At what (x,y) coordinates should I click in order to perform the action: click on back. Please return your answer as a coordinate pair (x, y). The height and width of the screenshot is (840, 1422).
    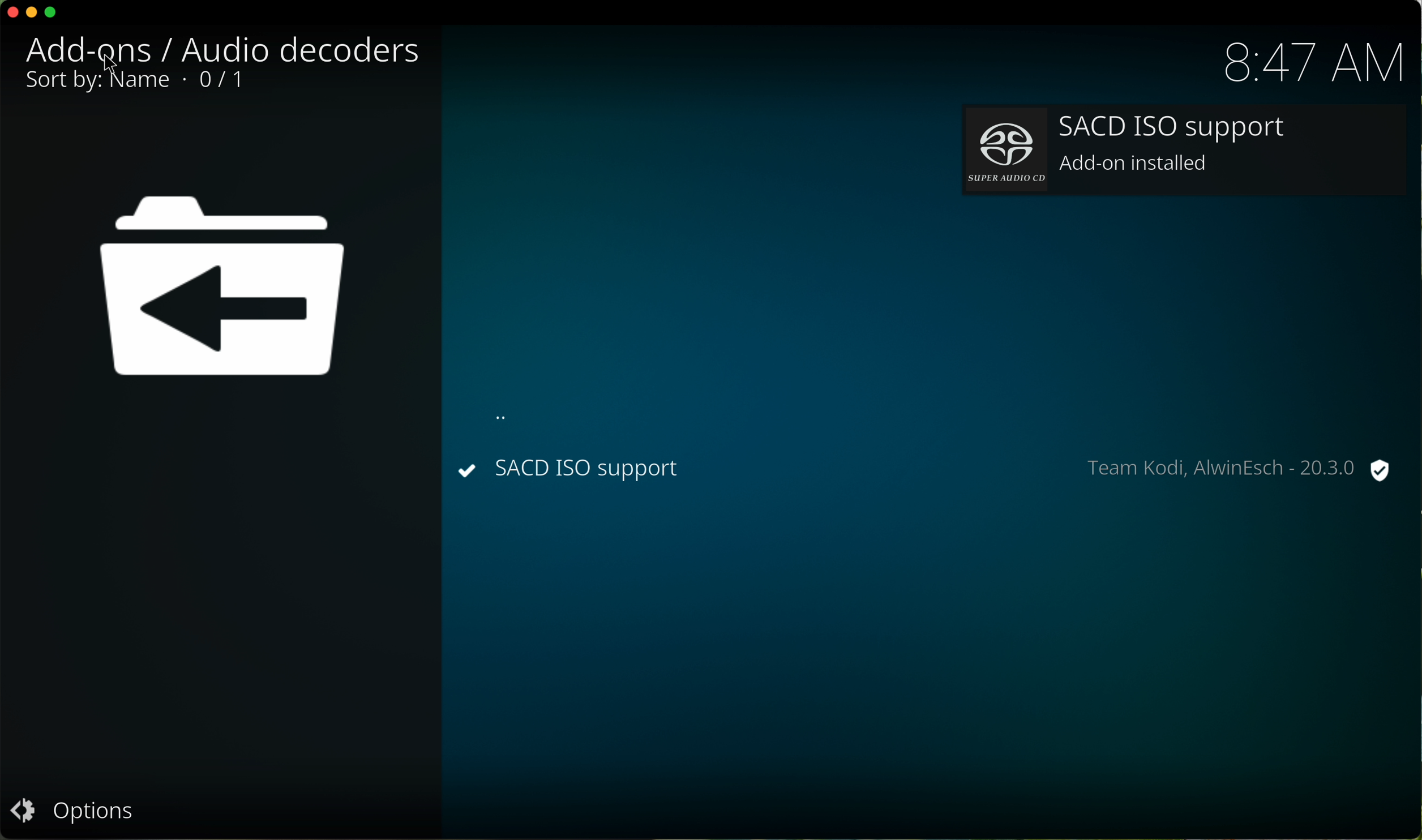
    Looking at the image, I should click on (509, 419).